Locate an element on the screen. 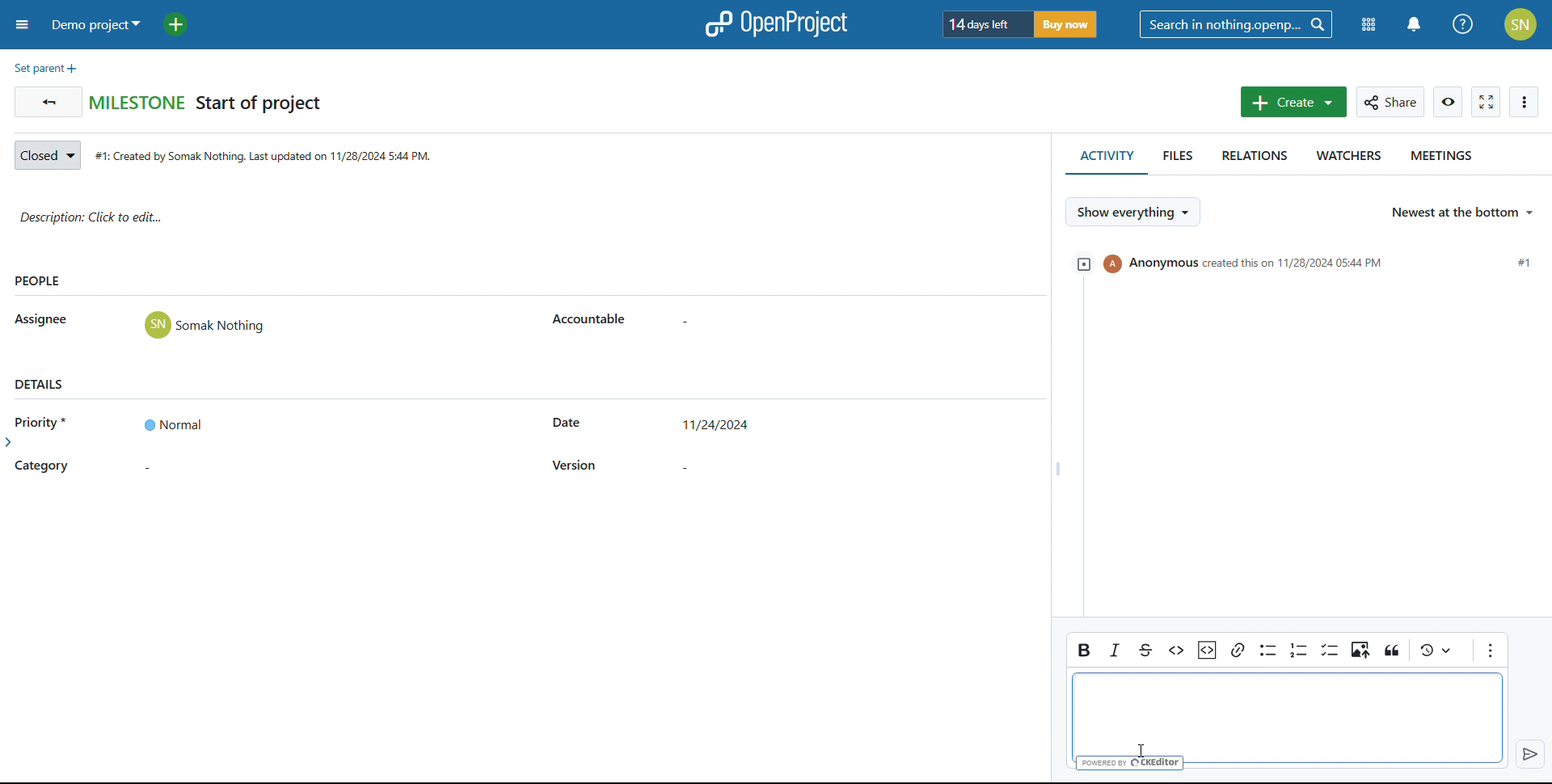 The height and width of the screenshot is (784, 1552). select sorting is located at coordinates (1462, 213).